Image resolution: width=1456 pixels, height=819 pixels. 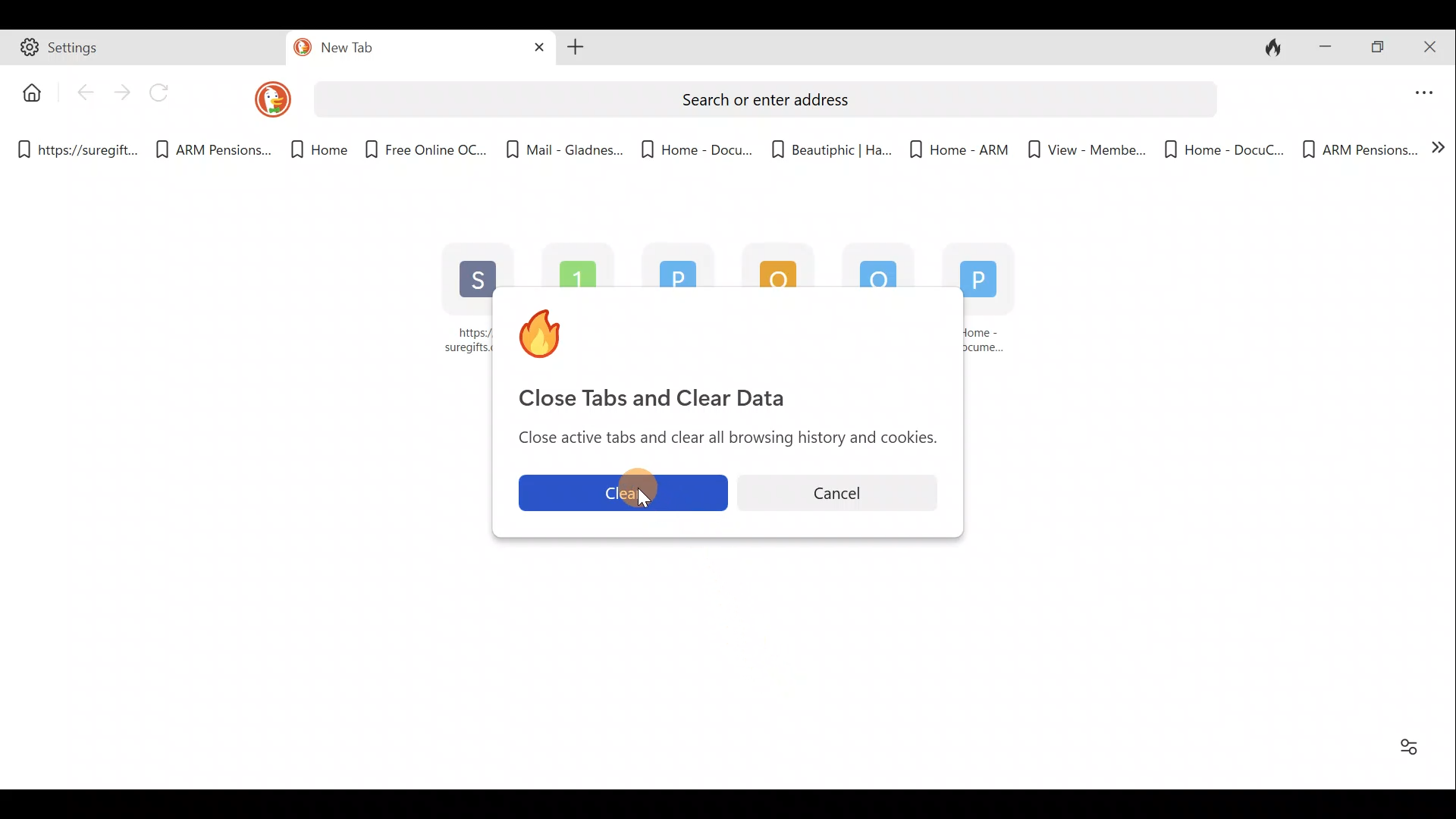 What do you see at coordinates (28, 91) in the screenshot?
I see `Home` at bounding box center [28, 91].